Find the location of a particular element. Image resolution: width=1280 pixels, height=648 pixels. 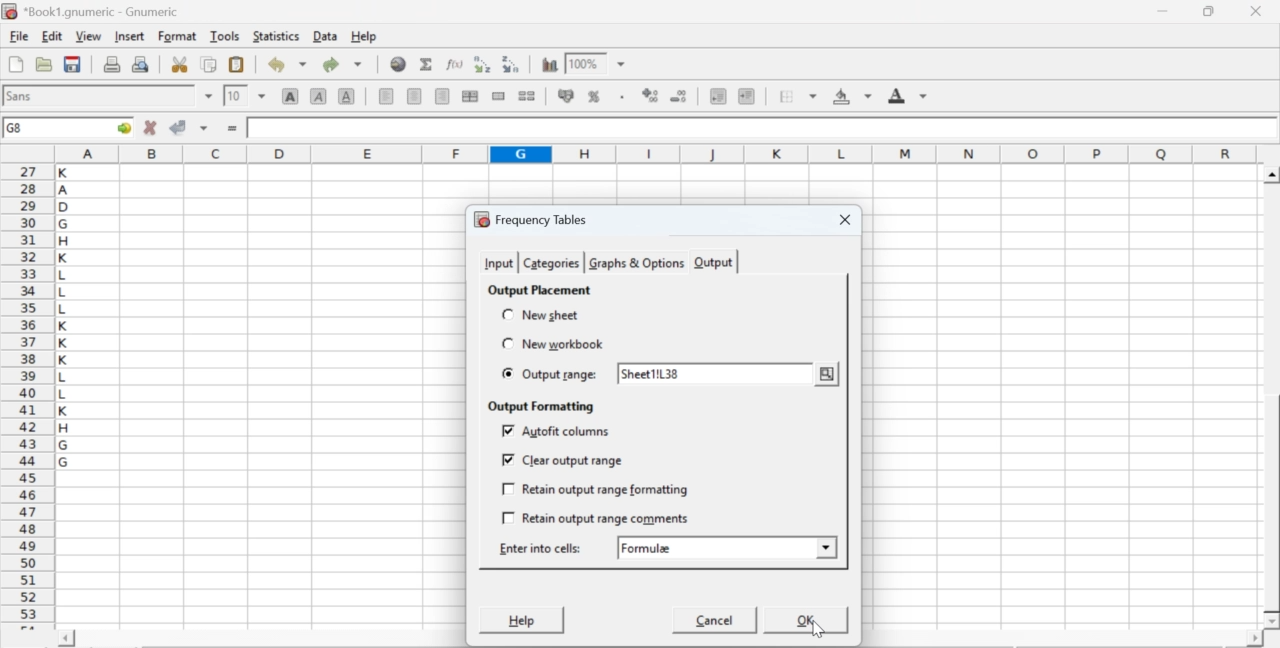

drop down is located at coordinates (622, 65).